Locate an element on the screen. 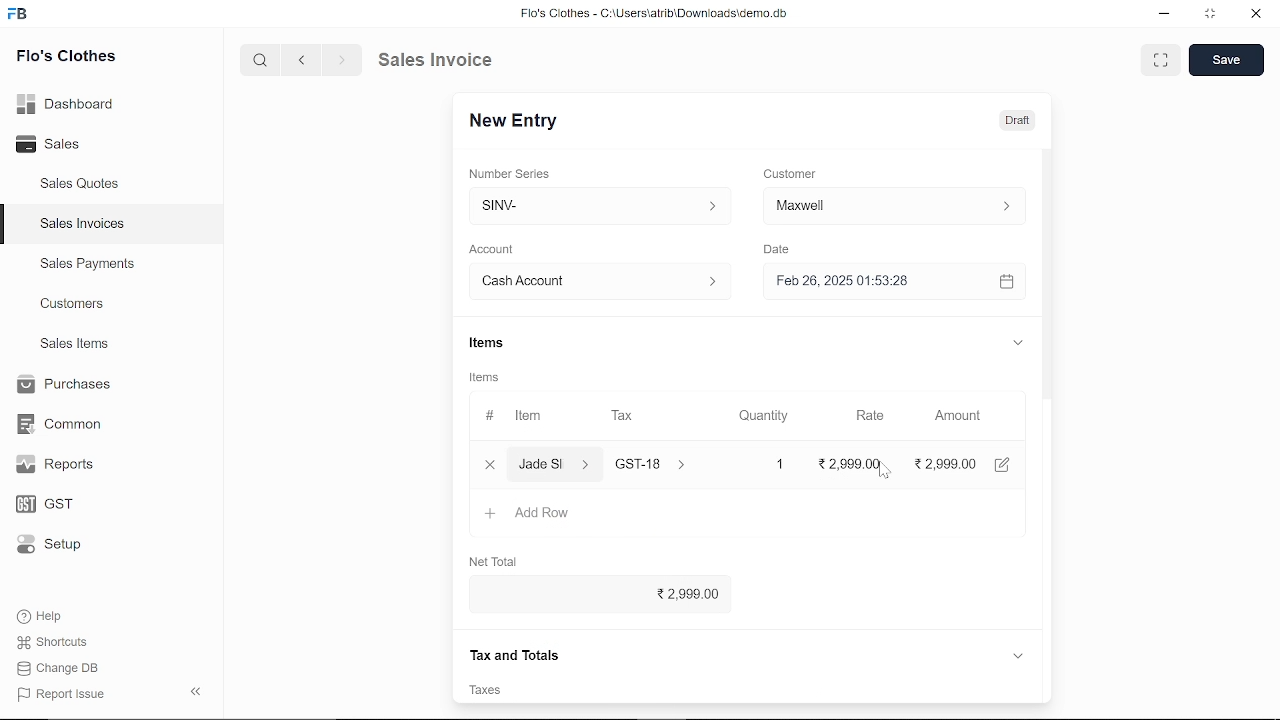  Flo's Clothes - C:\UsersatribiDownloads\demo.do is located at coordinates (662, 15).